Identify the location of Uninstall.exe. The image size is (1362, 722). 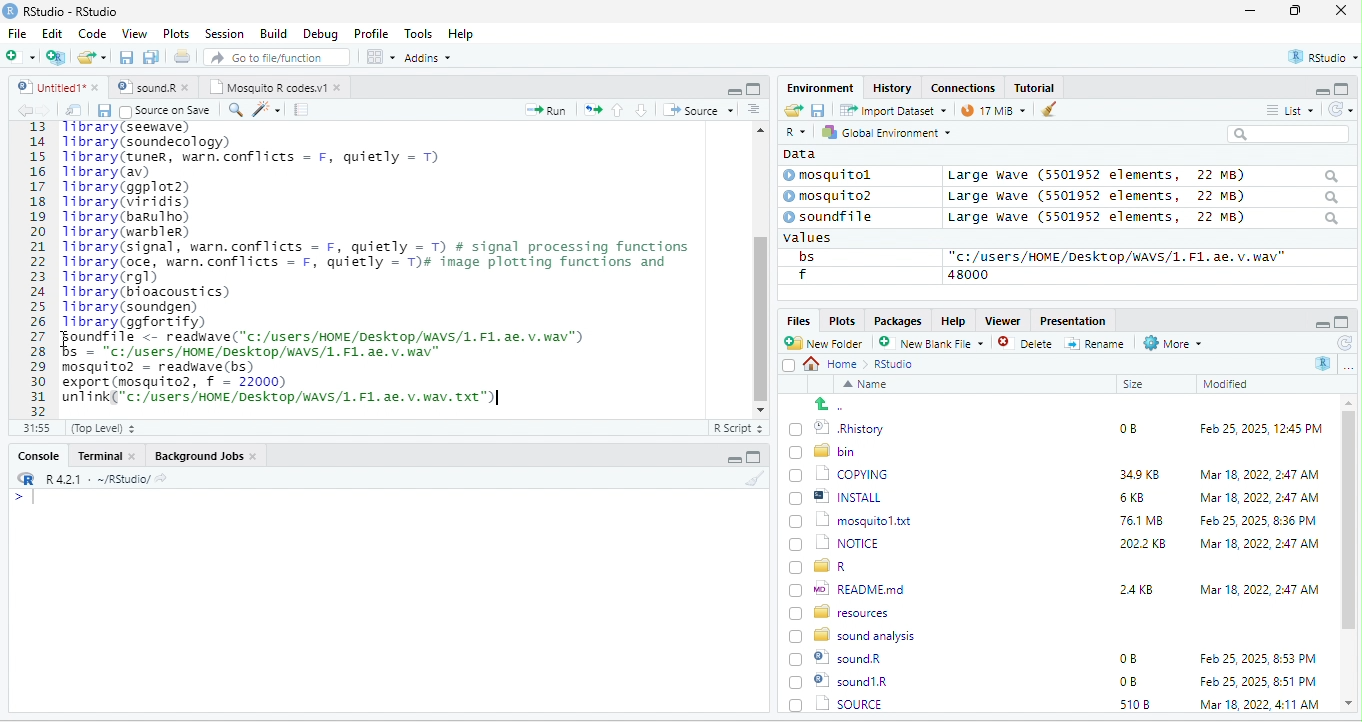
(849, 703).